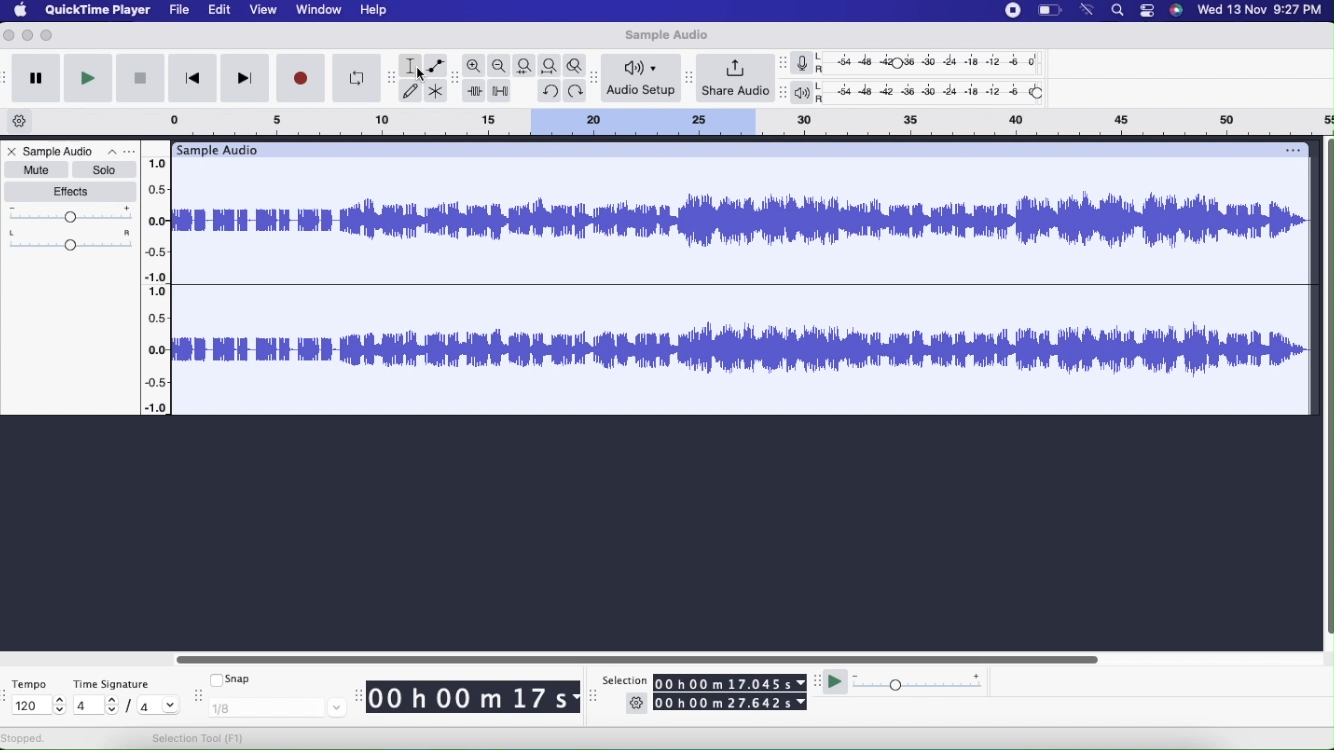  Describe the element at coordinates (1087, 9) in the screenshot. I see `network` at that location.